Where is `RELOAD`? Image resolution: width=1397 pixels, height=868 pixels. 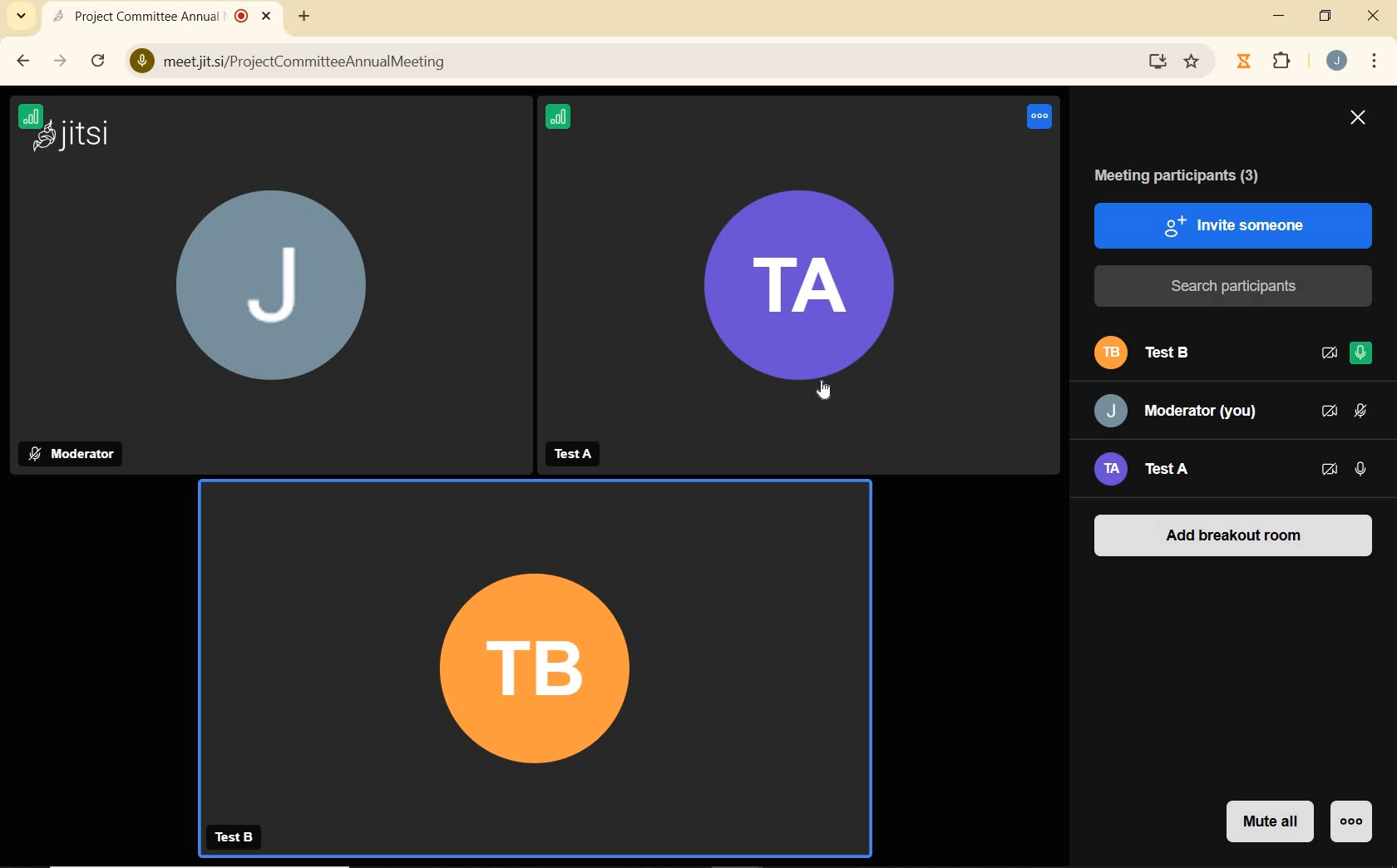
RELOAD is located at coordinates (98, 60).